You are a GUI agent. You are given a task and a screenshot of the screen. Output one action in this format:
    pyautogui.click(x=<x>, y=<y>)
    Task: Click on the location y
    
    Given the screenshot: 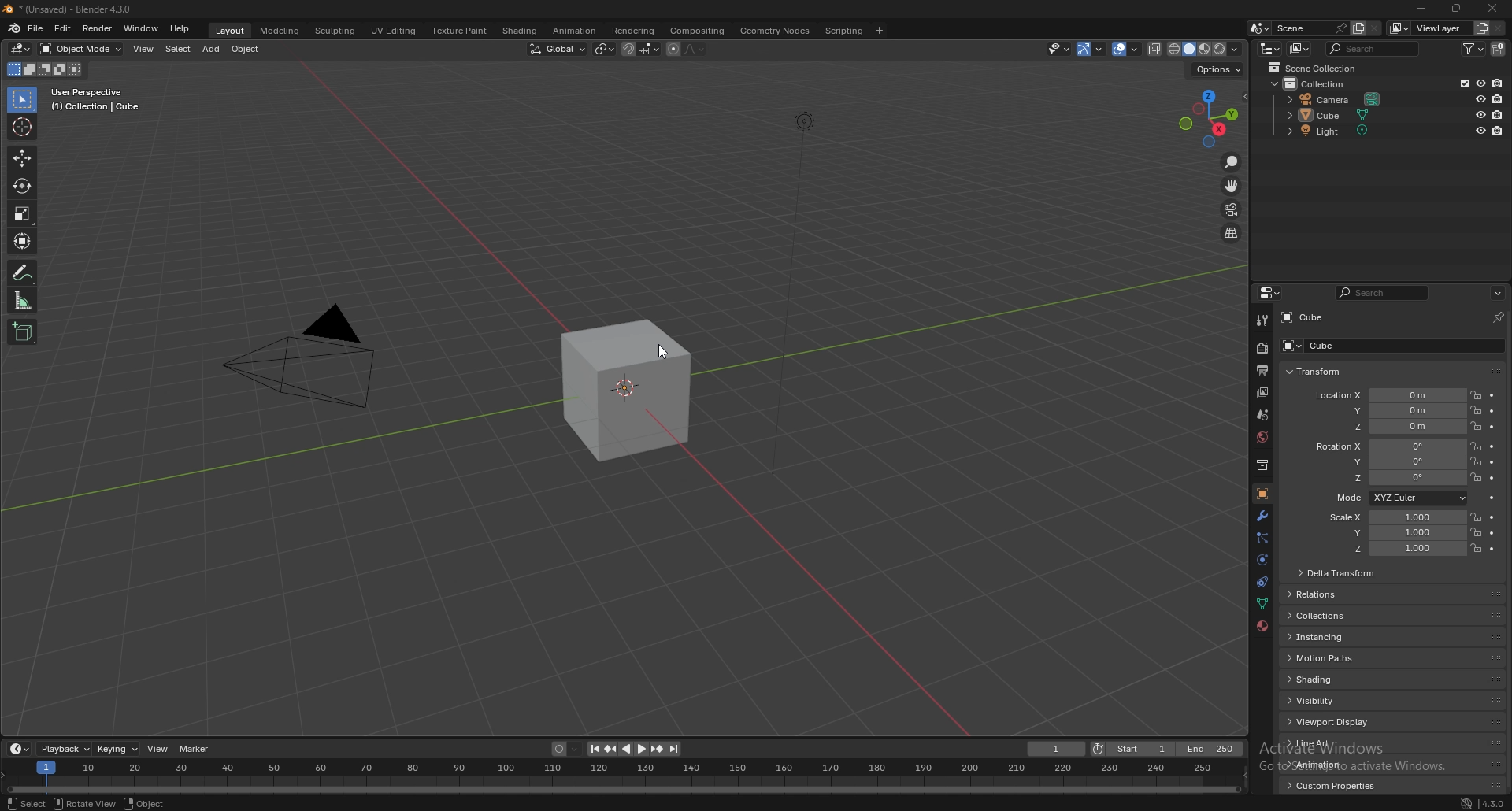 What is the action you would take?
    pyautogui.click(x=1395, y=410)
    